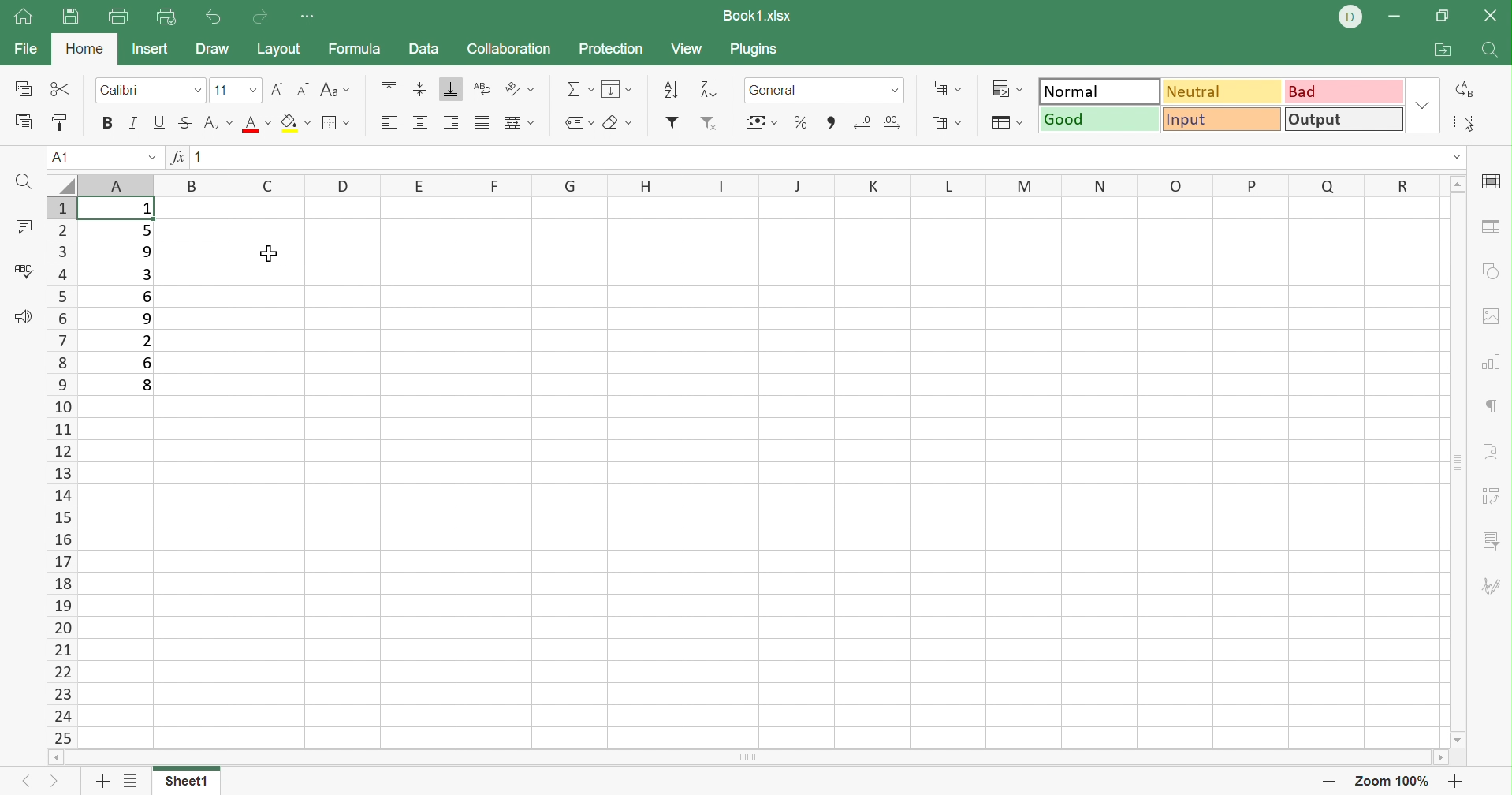 The image size is (1512, 795). Describe the element at coordinates (452, 121) in the screenshot. I see `Align Right` at that location.